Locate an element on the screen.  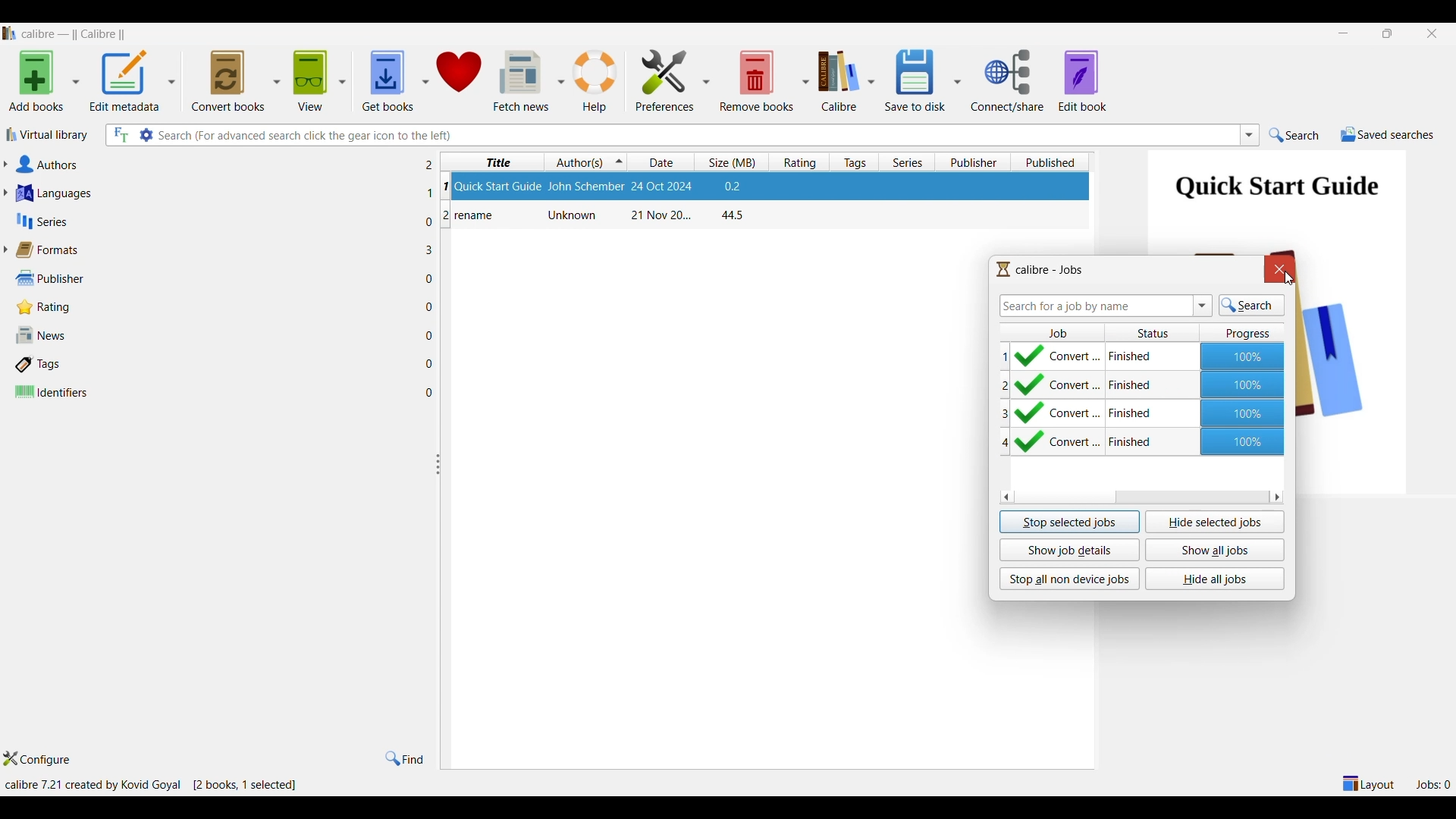
Date column is located at coordinates (663, 162).